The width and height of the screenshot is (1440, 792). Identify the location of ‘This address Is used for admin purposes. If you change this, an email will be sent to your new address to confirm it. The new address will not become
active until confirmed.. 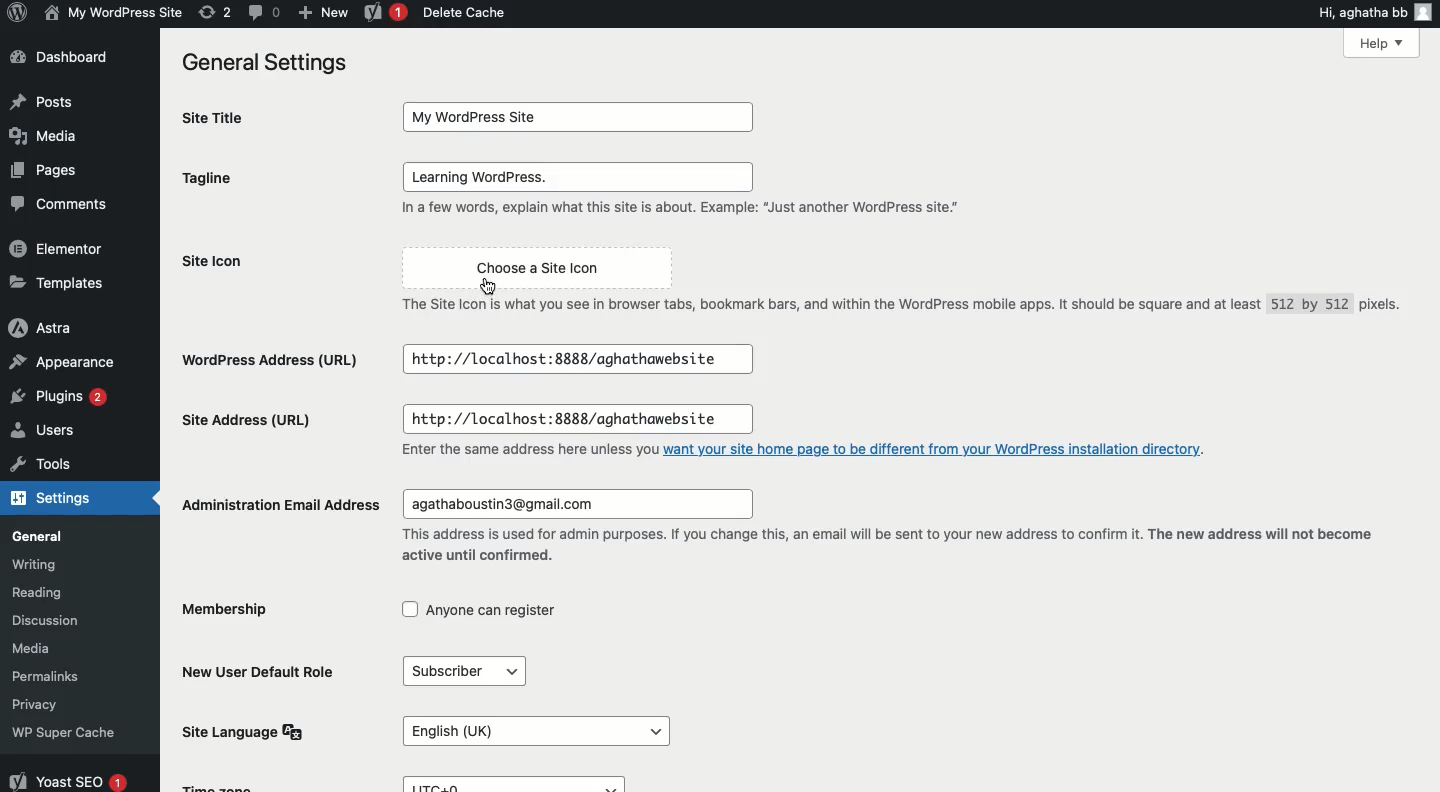
(891, 545).